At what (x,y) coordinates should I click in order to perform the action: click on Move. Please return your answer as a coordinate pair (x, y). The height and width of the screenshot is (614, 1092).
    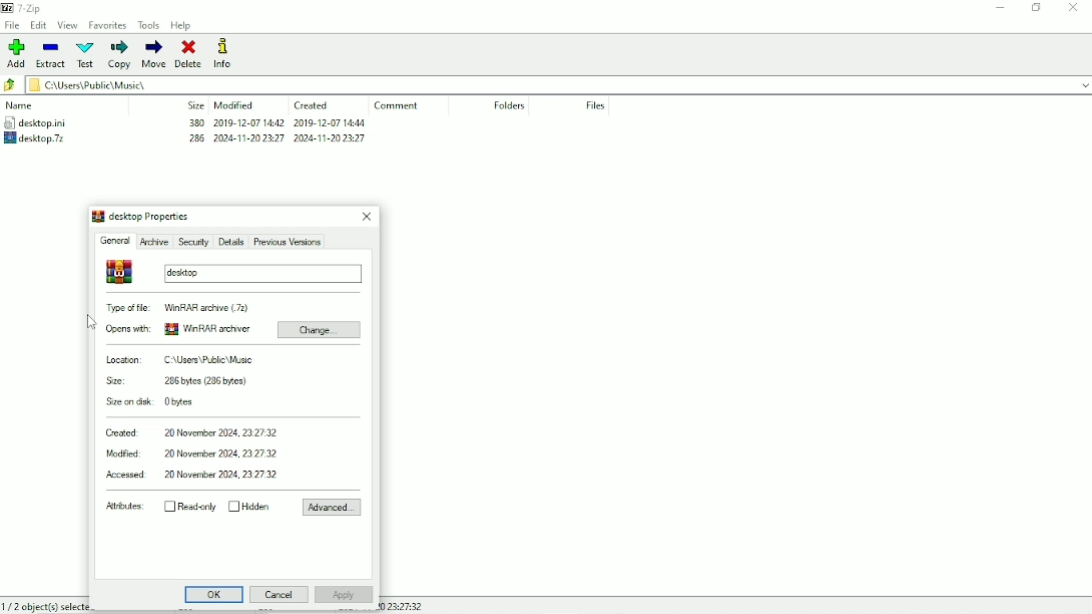
    Looking at the image, I should click on (153, 54).